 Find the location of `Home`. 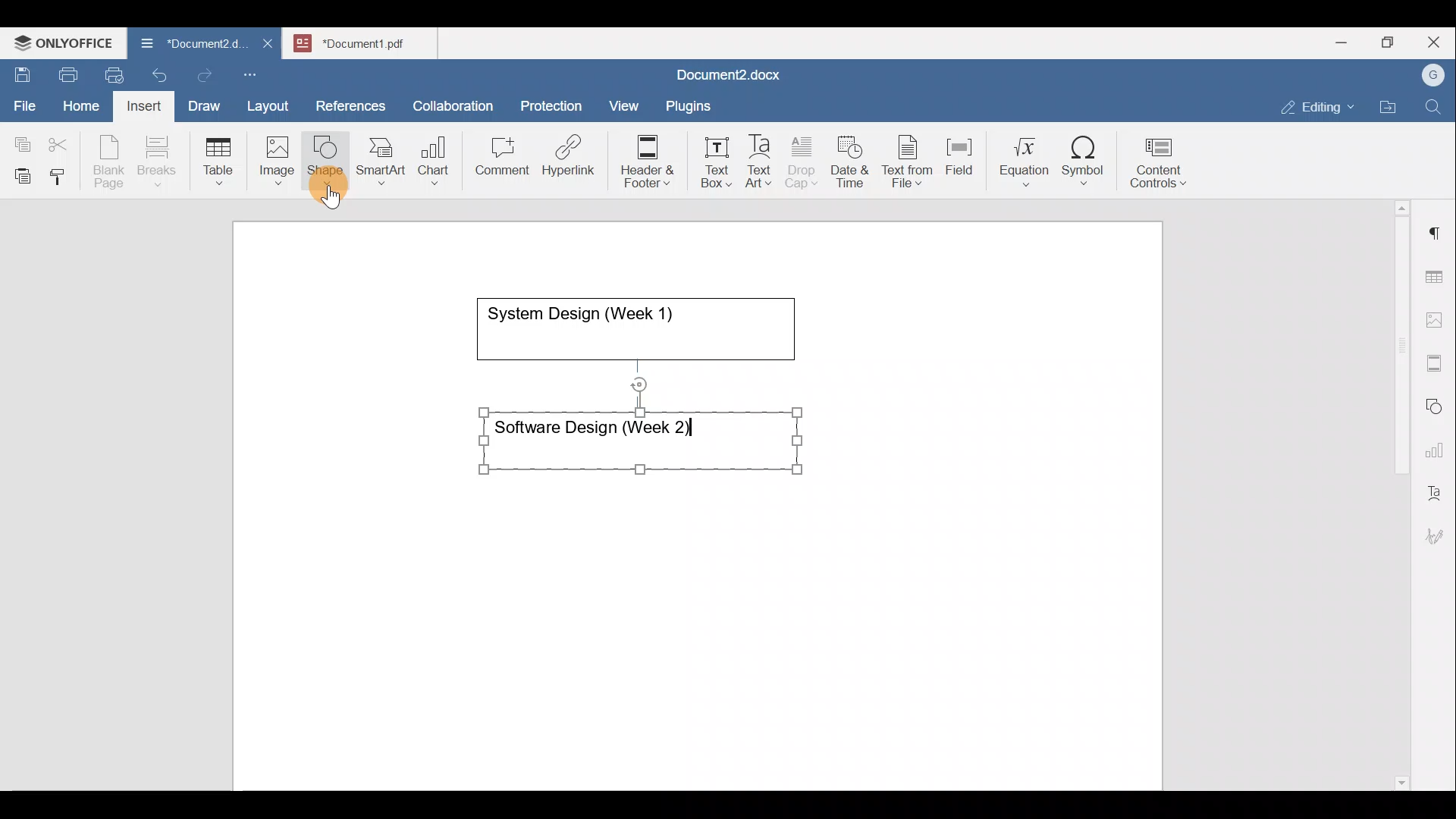

Home is located at coordinates (82, 105).